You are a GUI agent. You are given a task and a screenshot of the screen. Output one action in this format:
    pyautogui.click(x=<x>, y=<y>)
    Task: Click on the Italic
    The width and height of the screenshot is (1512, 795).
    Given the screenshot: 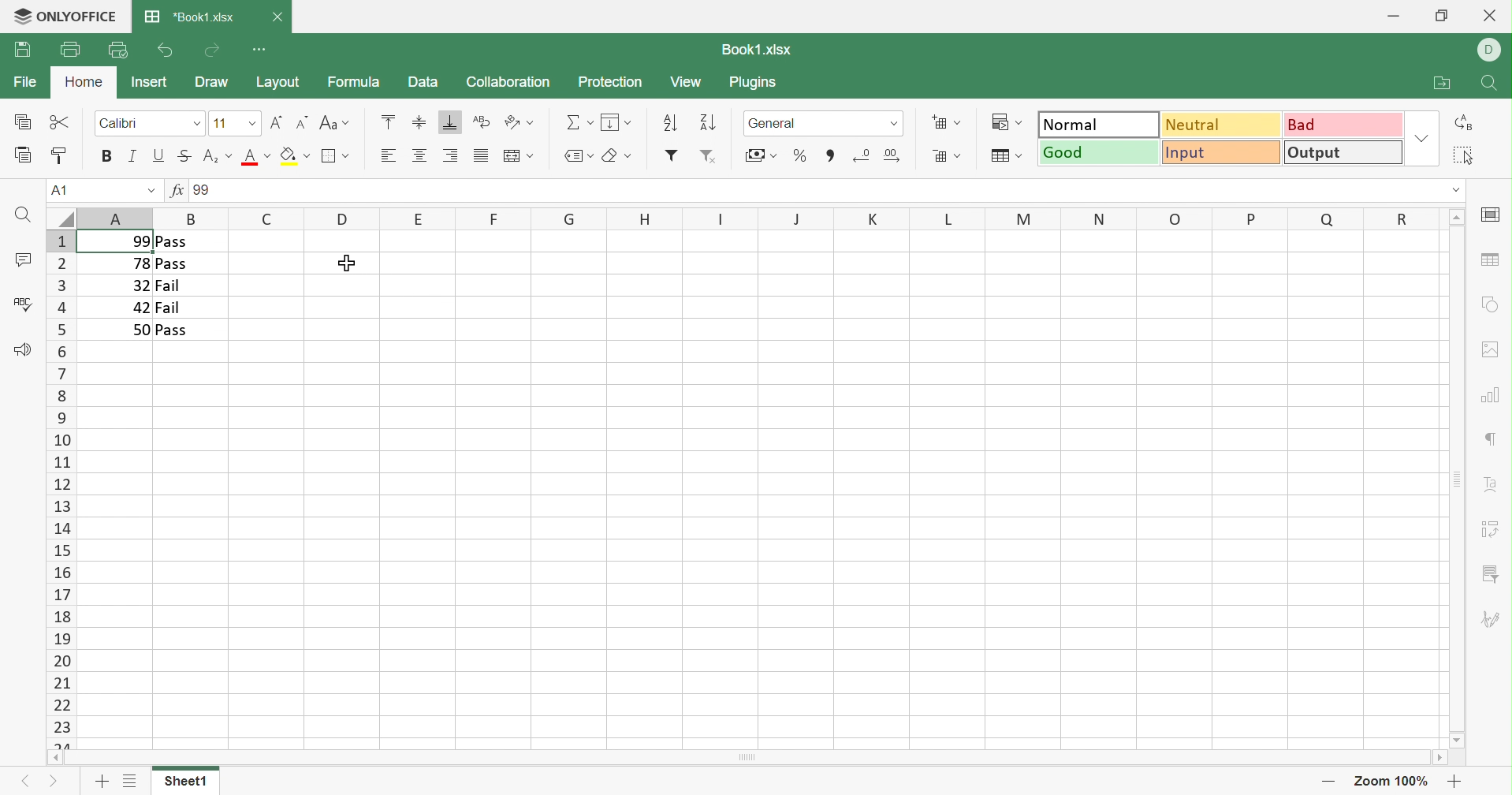 What is the action you would take?
    pyautogui.click(x=134, y=156)
    